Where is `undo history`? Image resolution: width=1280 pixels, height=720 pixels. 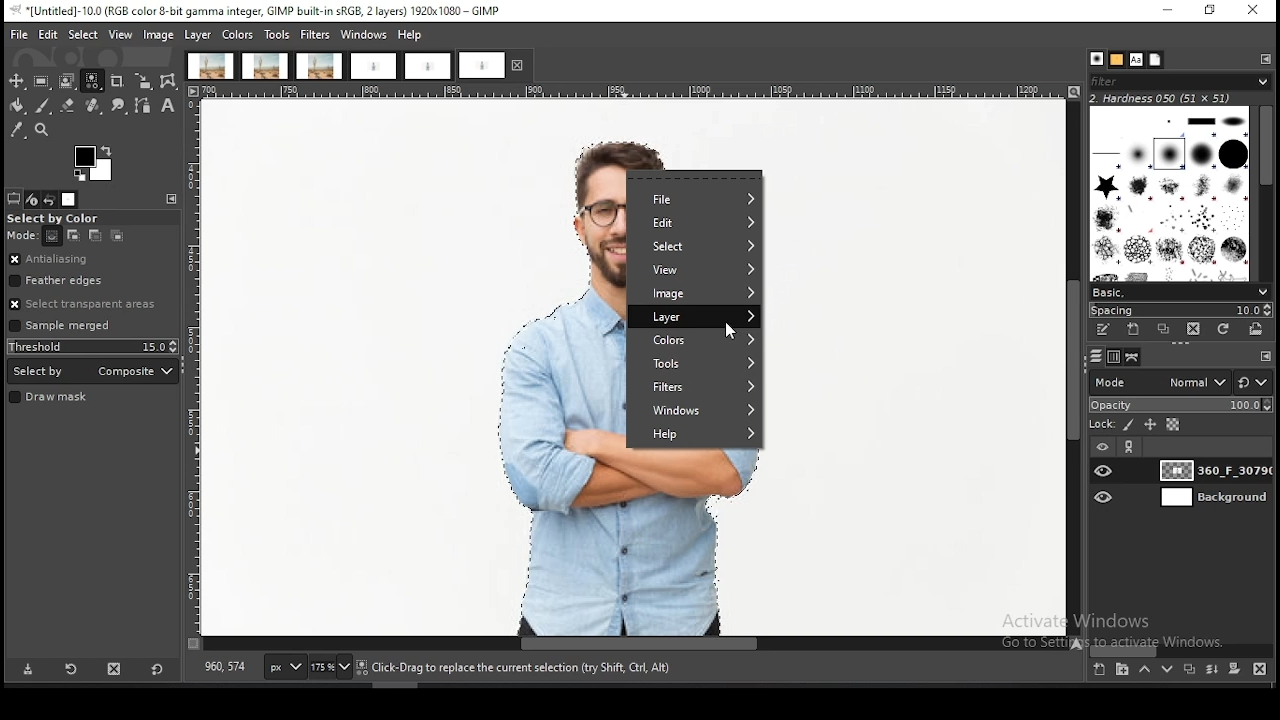 undo history is located at coordinates (49, 200).